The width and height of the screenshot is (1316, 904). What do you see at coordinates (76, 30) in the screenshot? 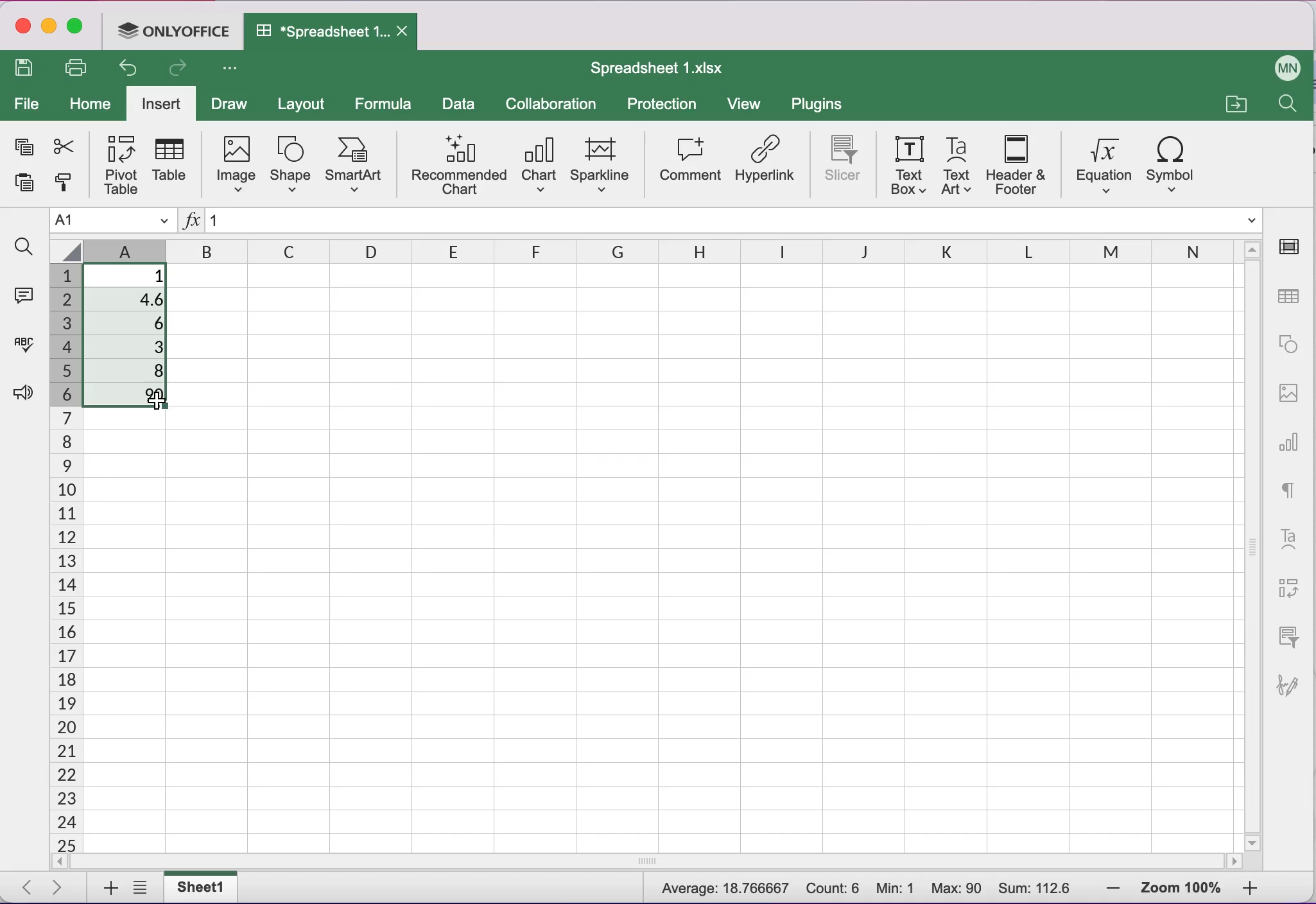
I see `maximize` at bounding box center [76, 30].